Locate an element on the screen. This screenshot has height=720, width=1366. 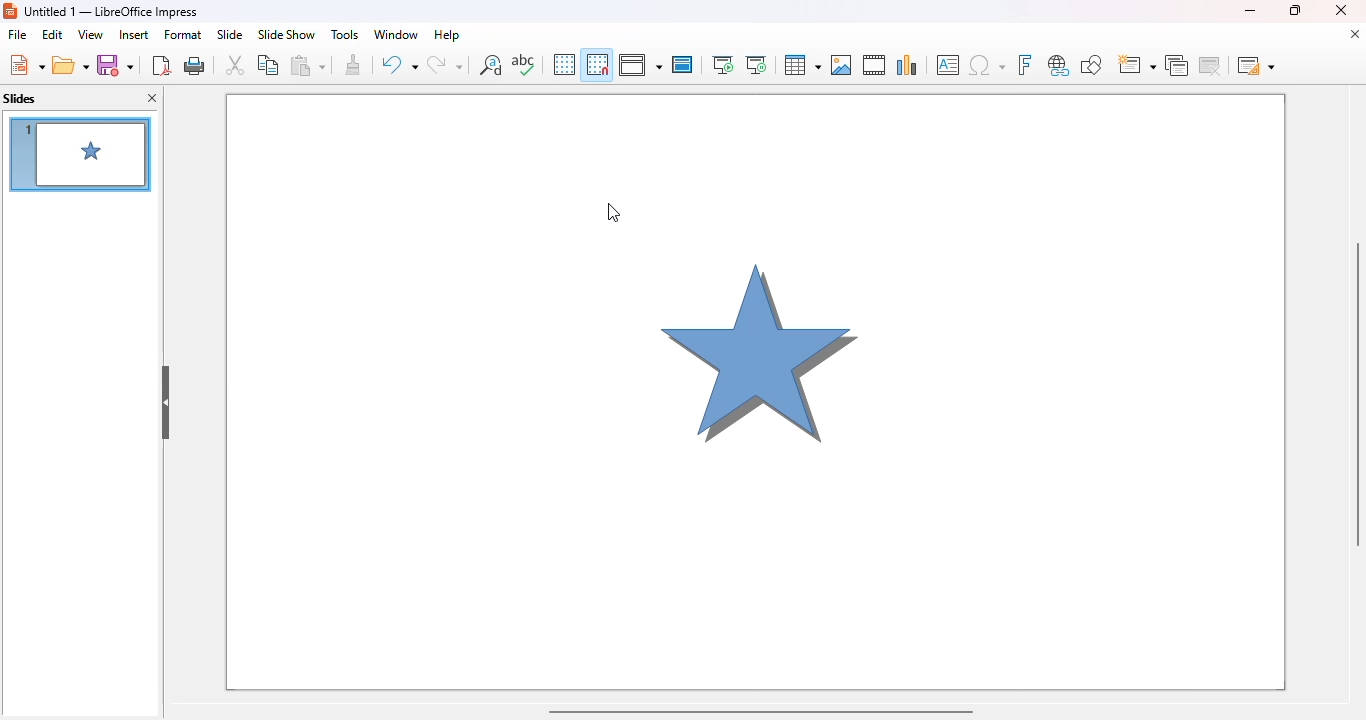
show draw functions is located at coordinates (1091, 65).